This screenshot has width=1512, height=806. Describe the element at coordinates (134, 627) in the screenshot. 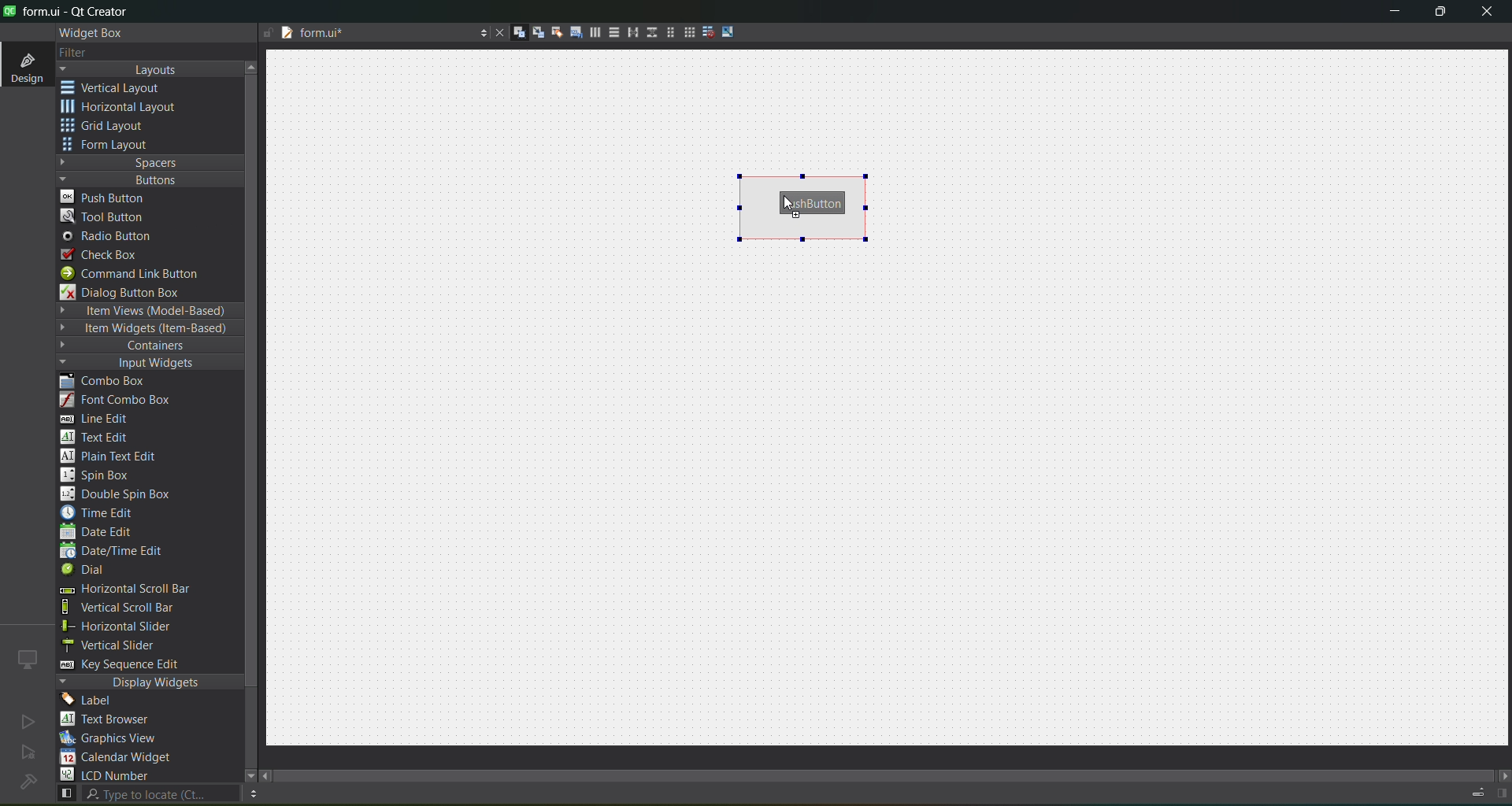

I see `horizontal slider` at that location.